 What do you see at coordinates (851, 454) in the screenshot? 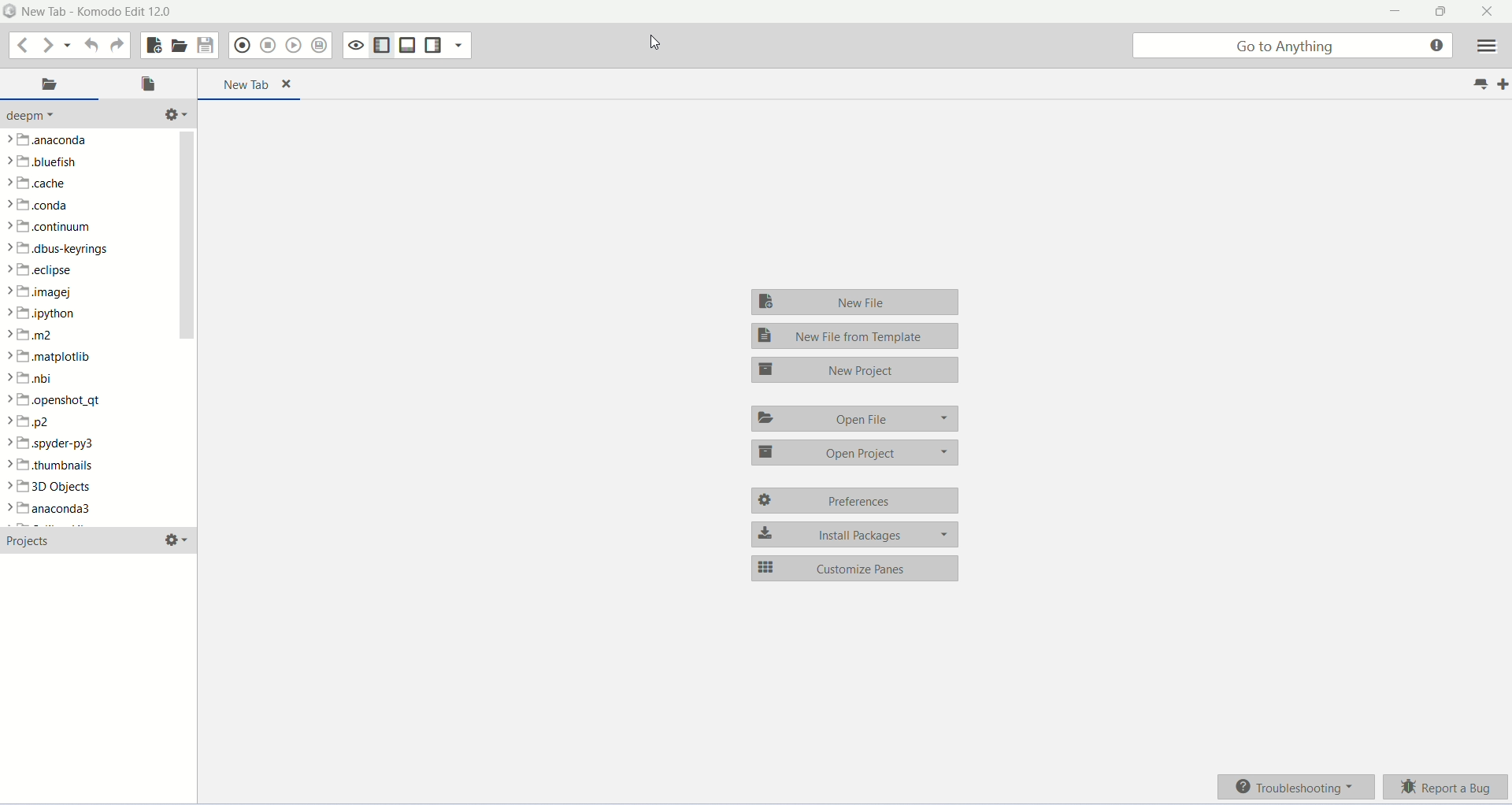
I see `open project` at bounding box center [851, 454].